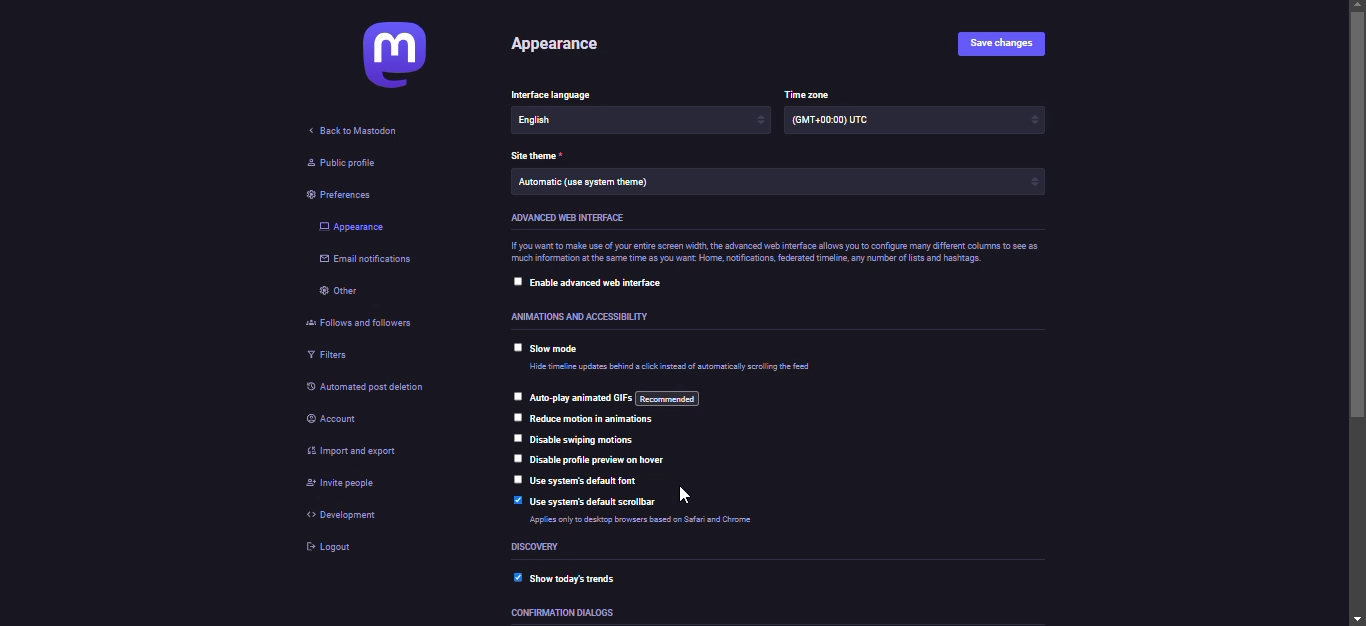 The height and width of the screenshot is (626, 1366). What do you see at coordinates (517, 481) in the screenshot?
I see `click to select` at bounding box center [517, 481].